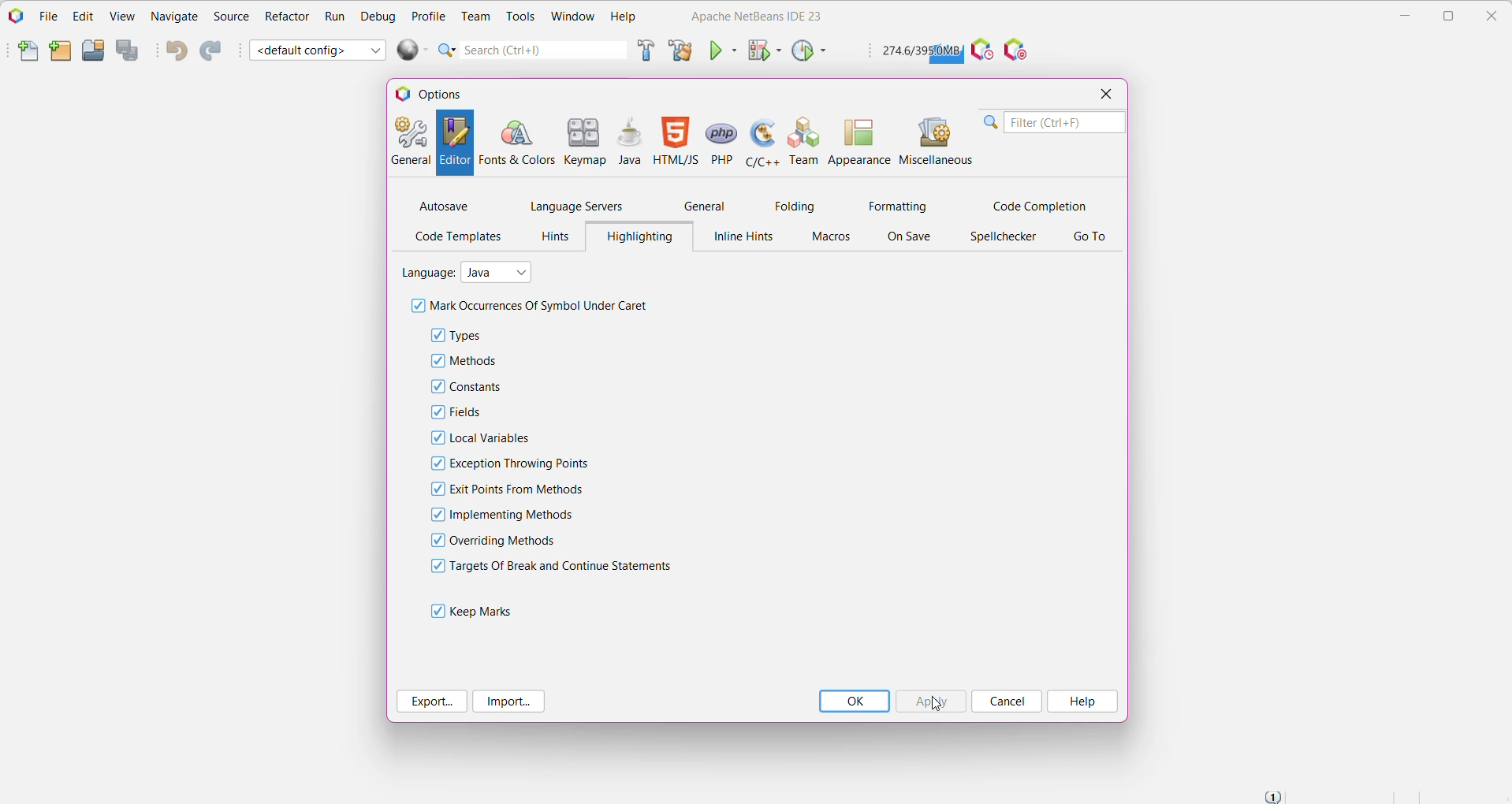 Image resolution: width=1512 pixels, height=804 pixels. I want to click on Window, so click(573, 18).